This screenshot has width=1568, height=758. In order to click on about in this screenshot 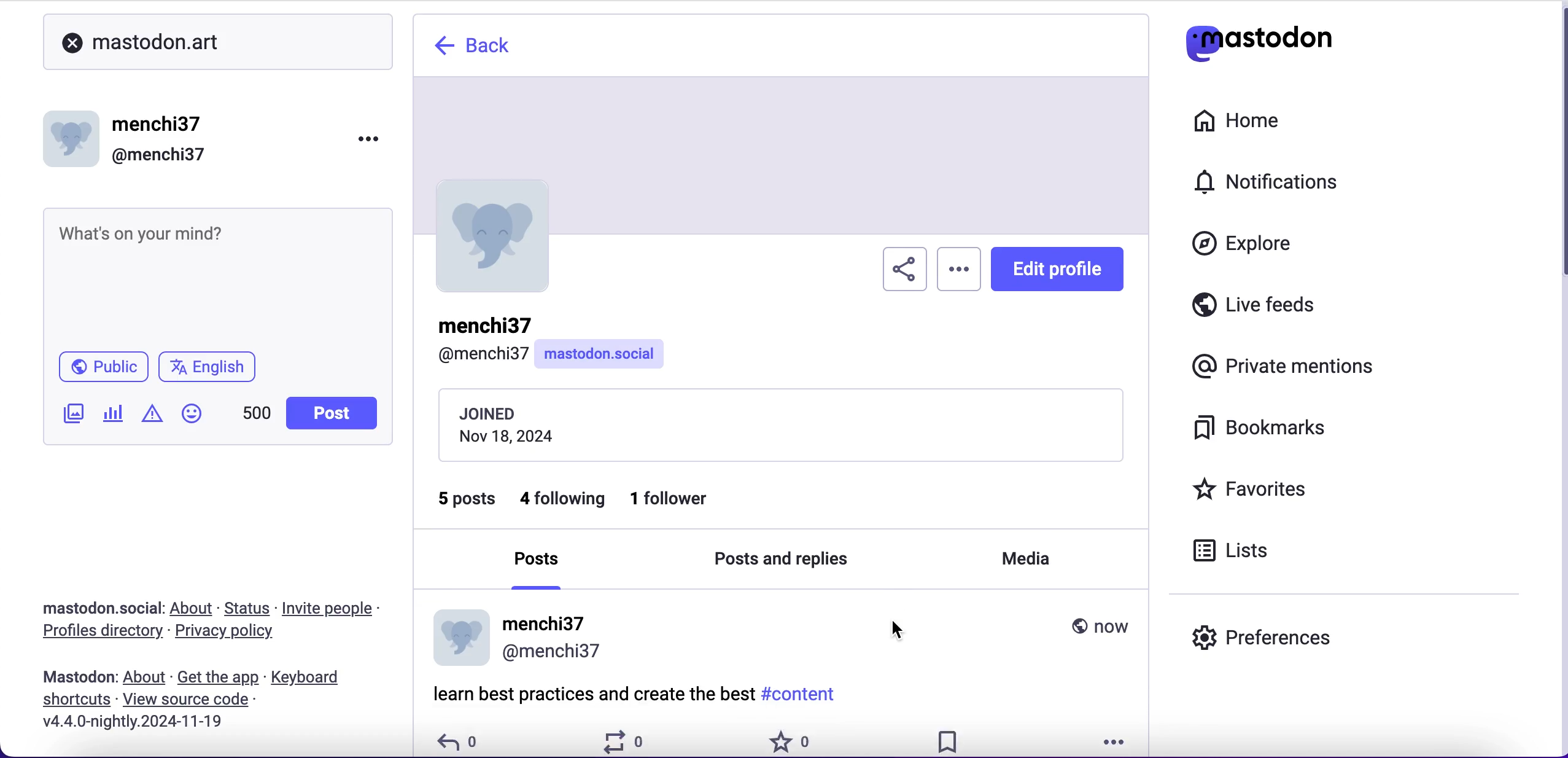, I will do `click(146, 678)`.